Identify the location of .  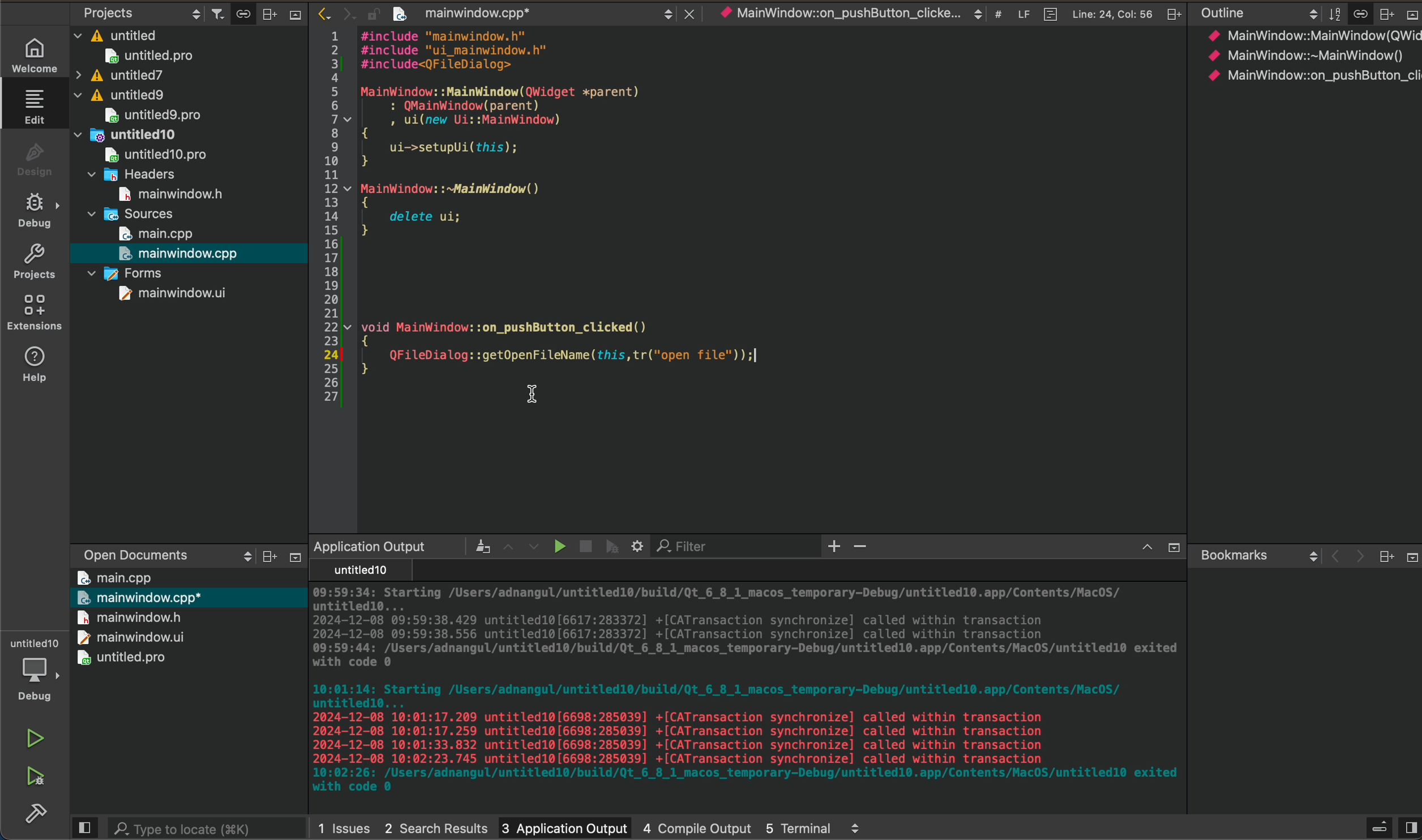
(1171, 14).